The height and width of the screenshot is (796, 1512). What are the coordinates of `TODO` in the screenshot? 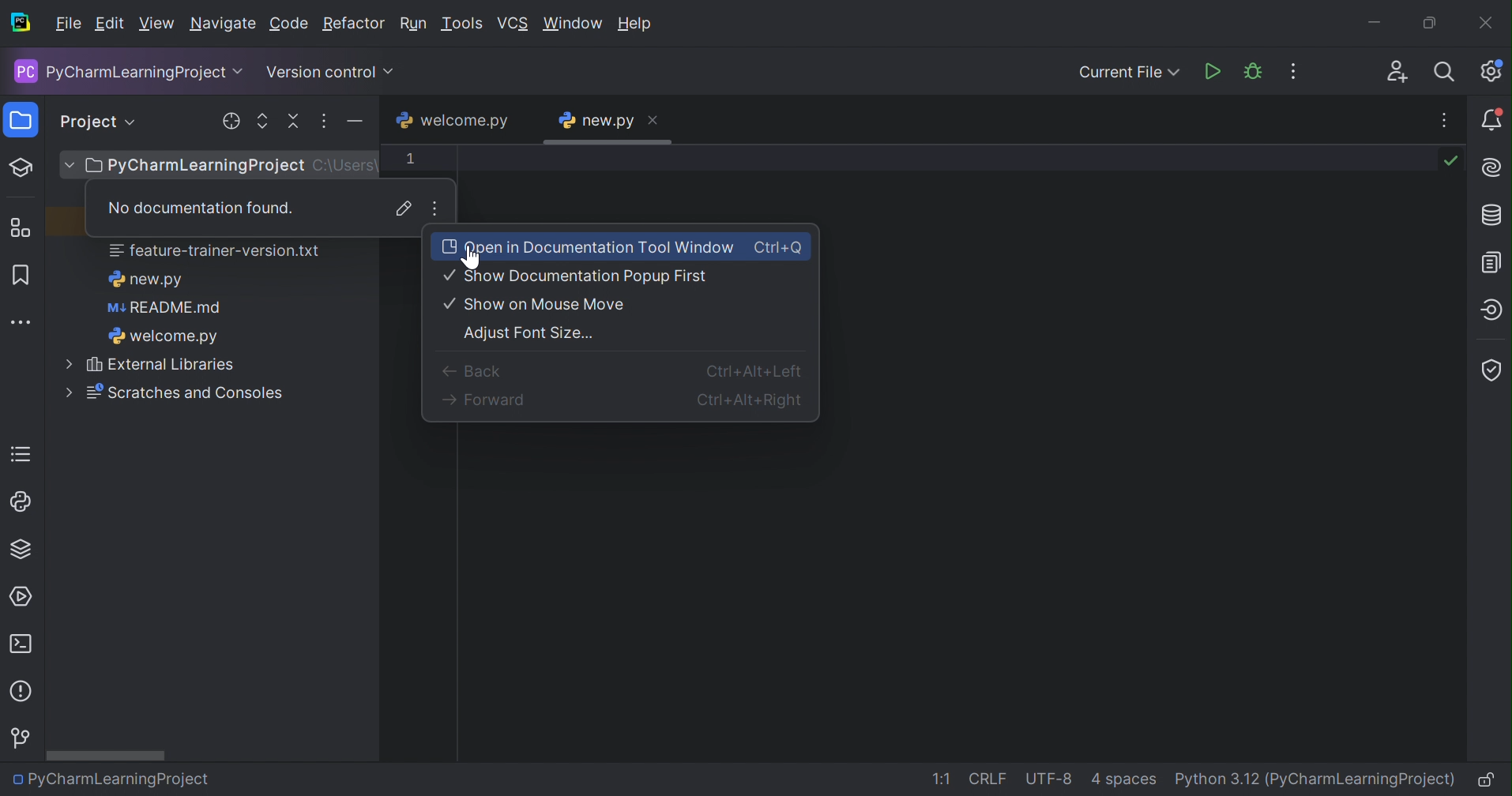 It's located at (19, 454).